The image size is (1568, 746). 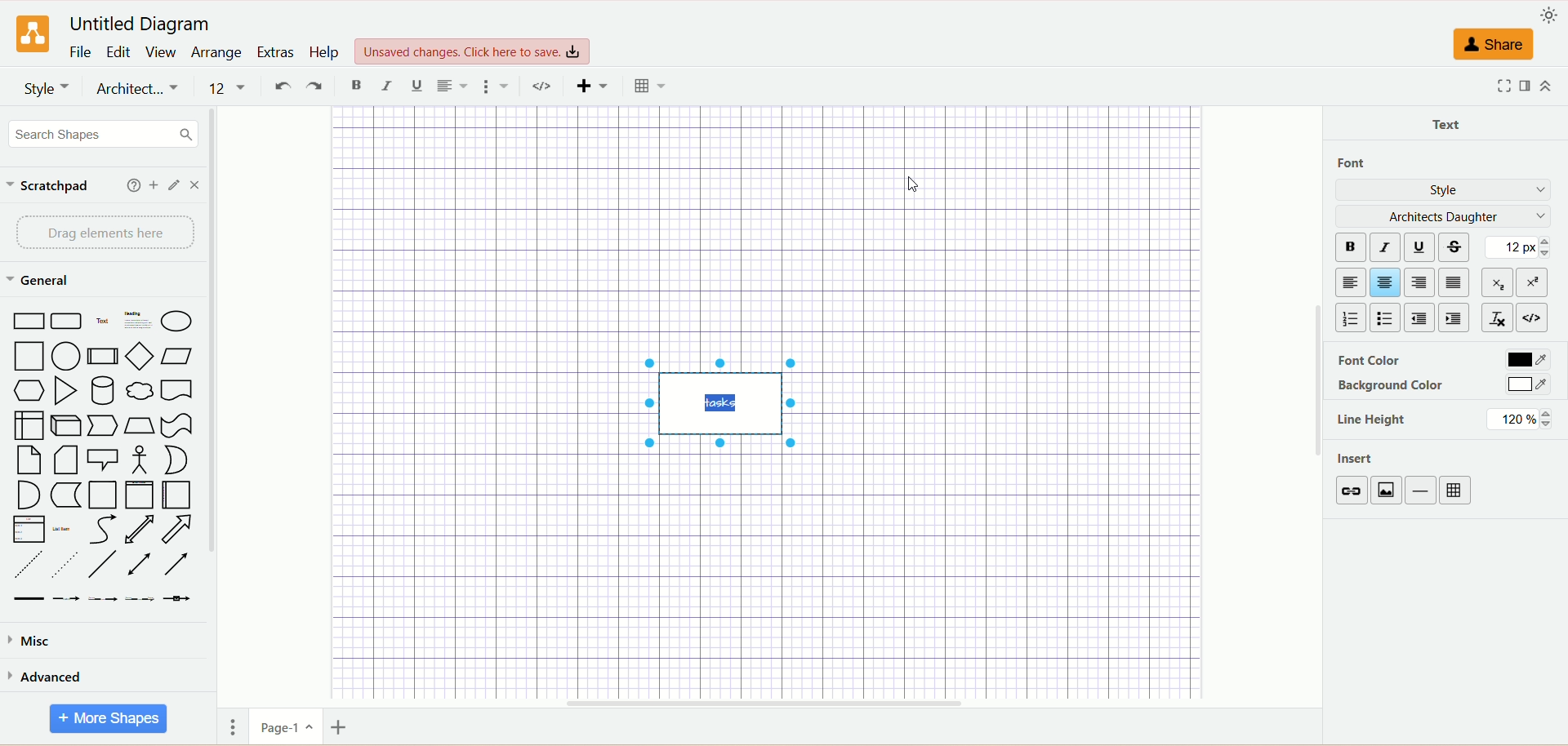 I want to click on vertical scroll bar, so click(x=1317, y=406).